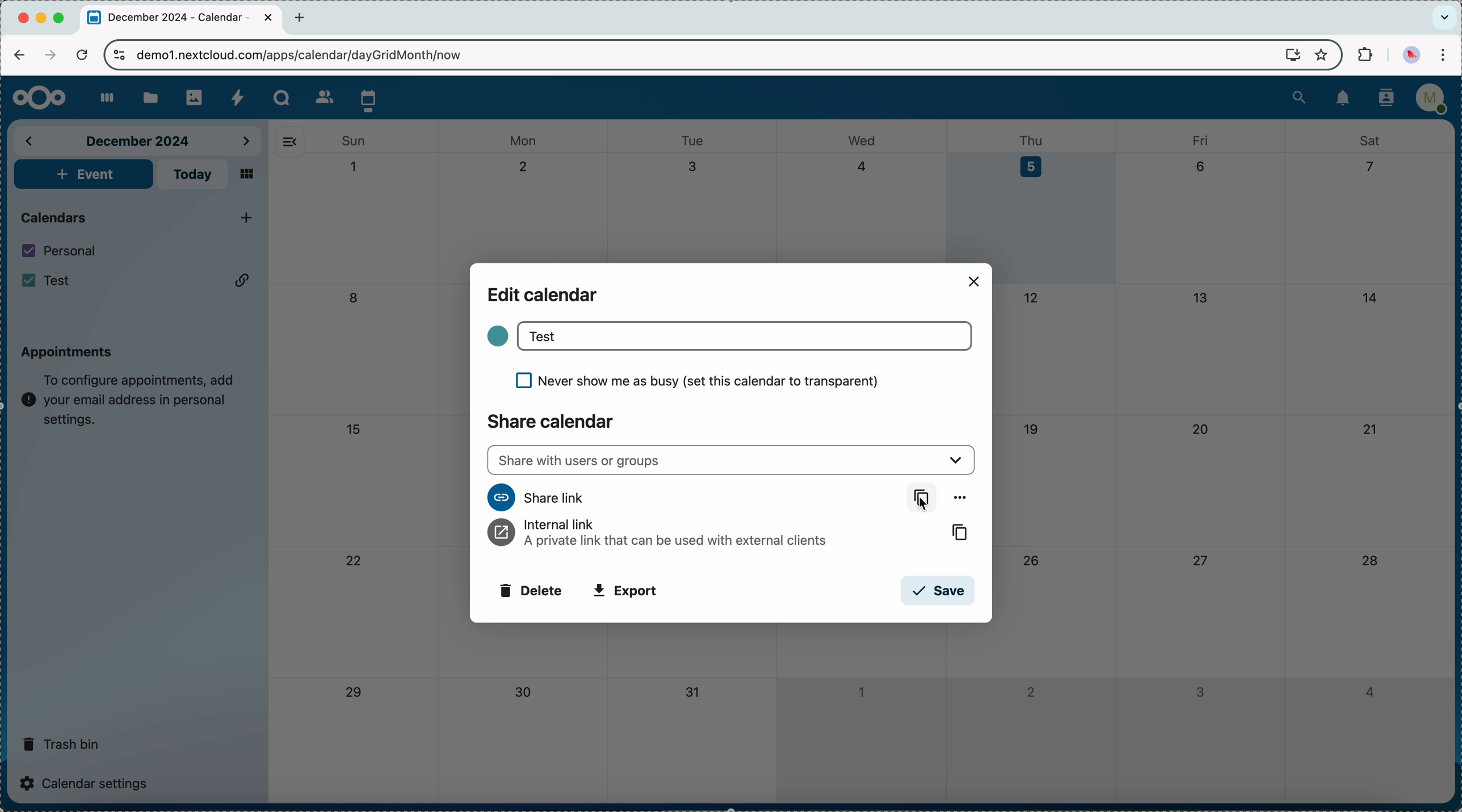 This screenshot has width=1462, height=812. Describe the element at coordinates (355, 167) in the screenshot. I see `1` at that location.